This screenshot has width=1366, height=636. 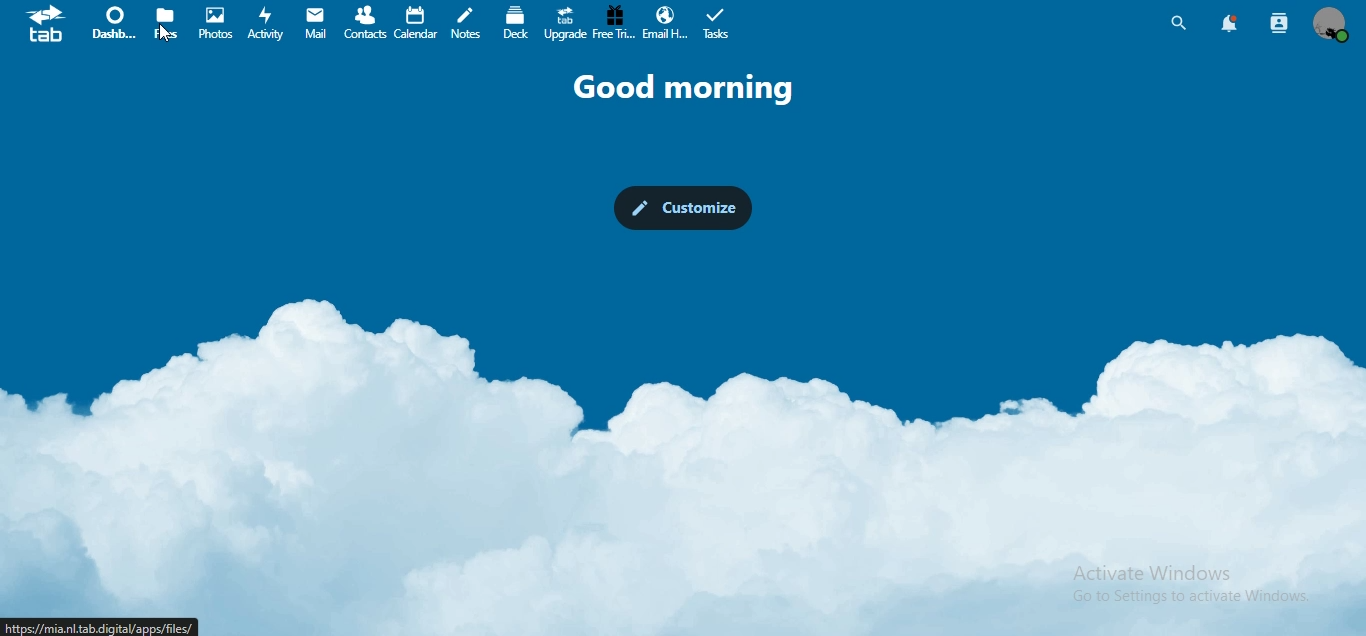 I want to click on notes, so click(x=465, y=24).